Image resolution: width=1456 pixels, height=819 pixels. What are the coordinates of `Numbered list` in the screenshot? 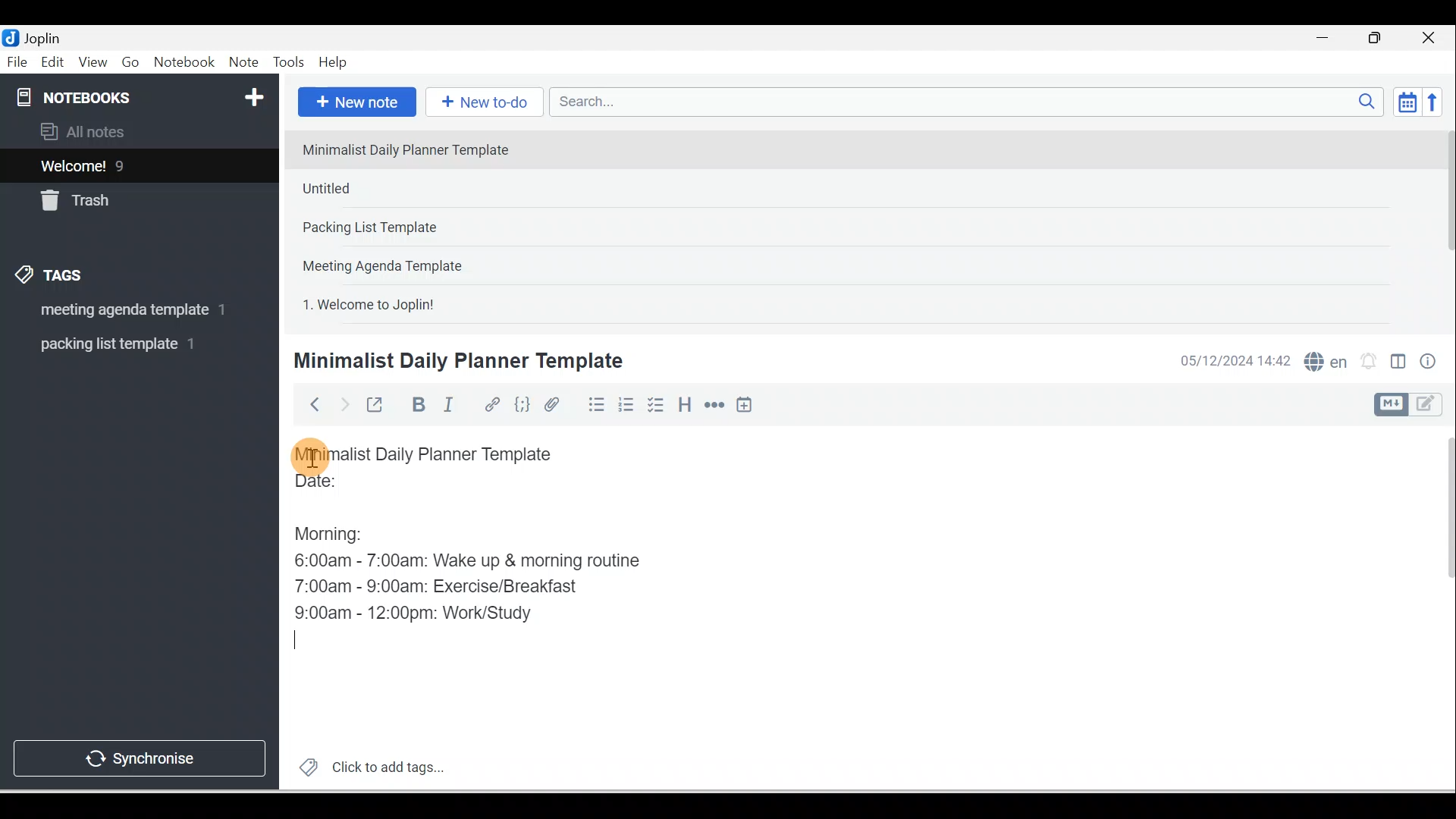 It's located at (626, 404).